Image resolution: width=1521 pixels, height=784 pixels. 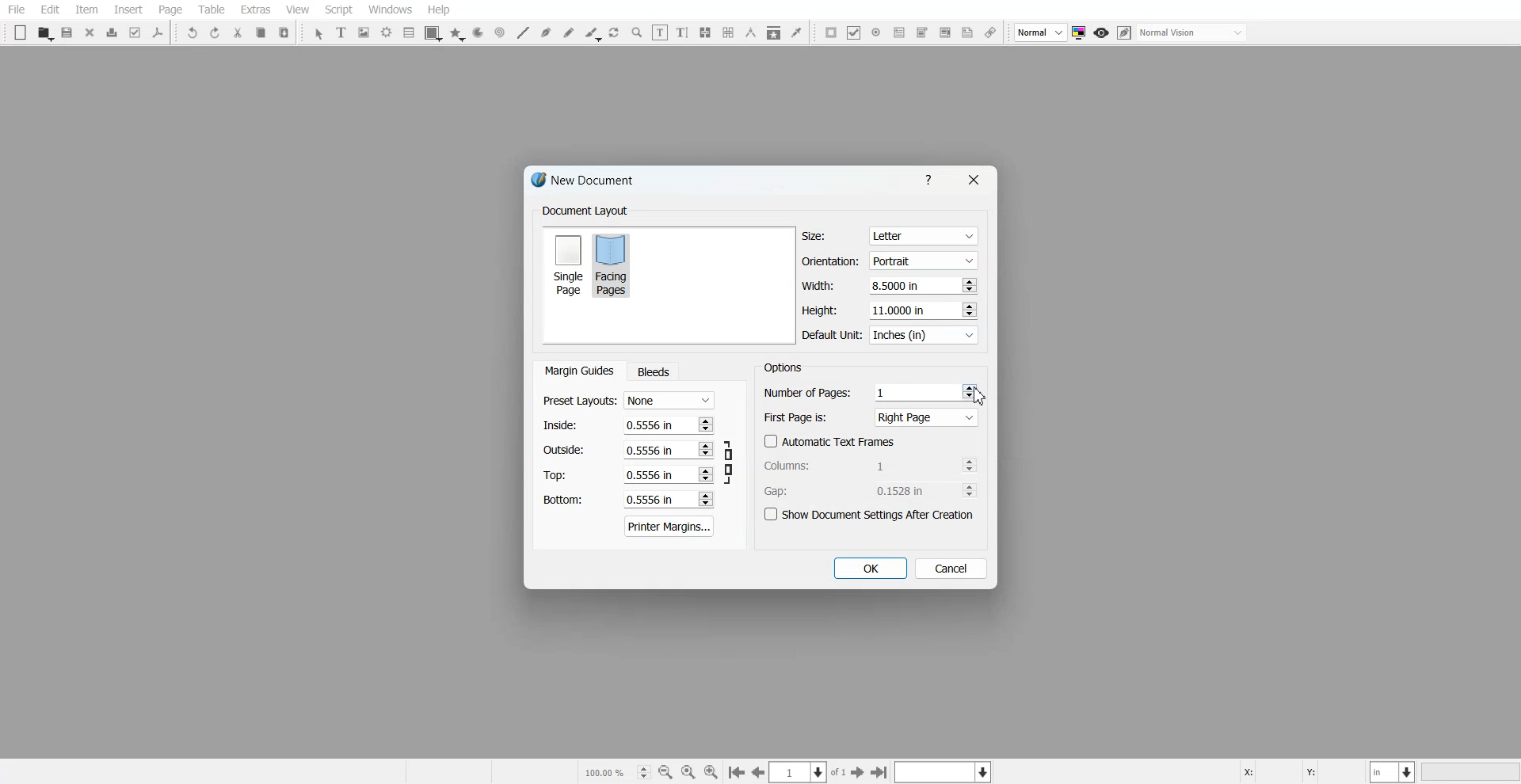 What do you see at coordinates (905, 490) in the screenshot?
I see `0.1528 in` at bounding box center [905, 490].